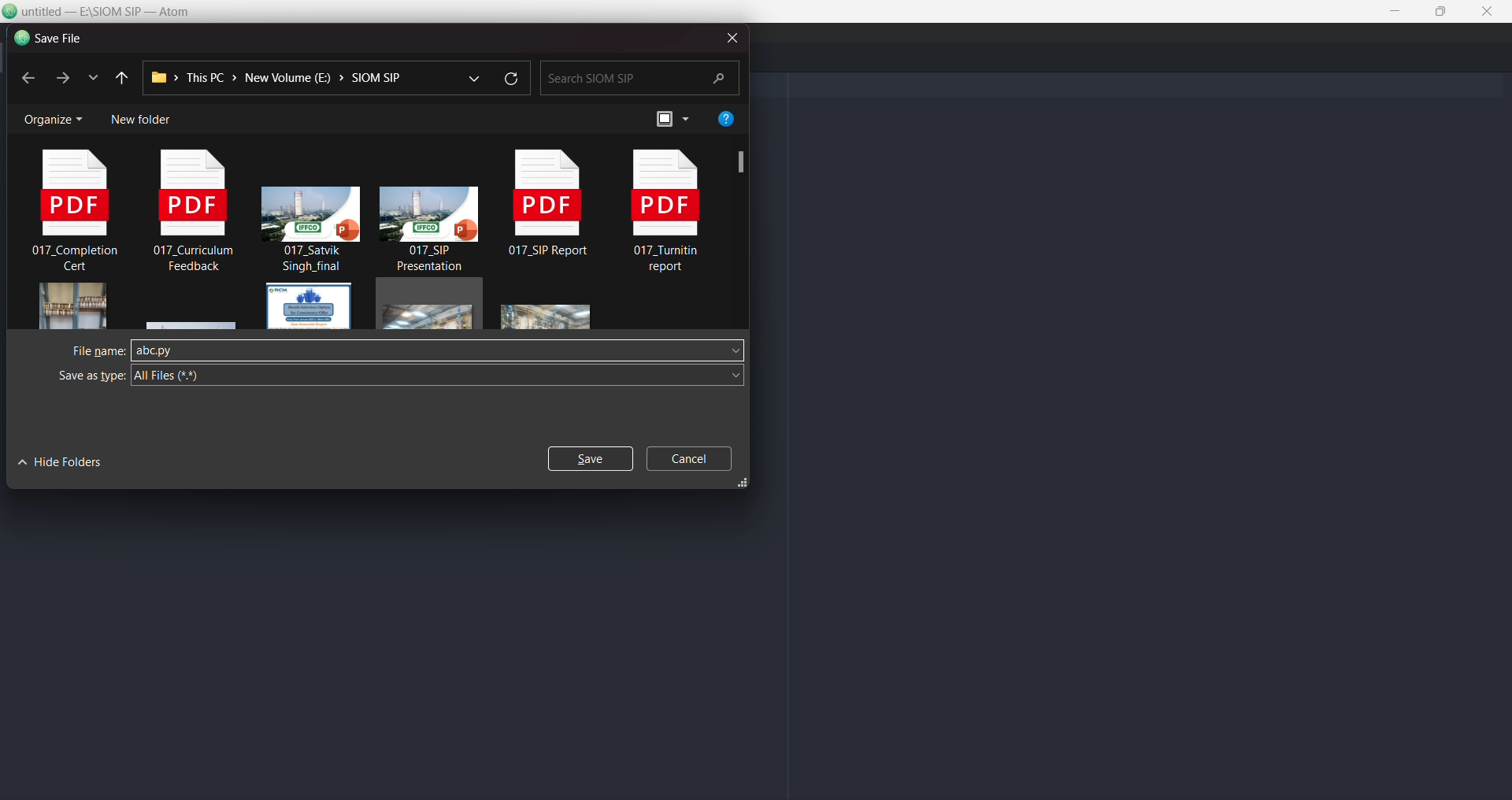  Describe the element at coordinates (61, 77) in the screenshot. I see `next` at that location.